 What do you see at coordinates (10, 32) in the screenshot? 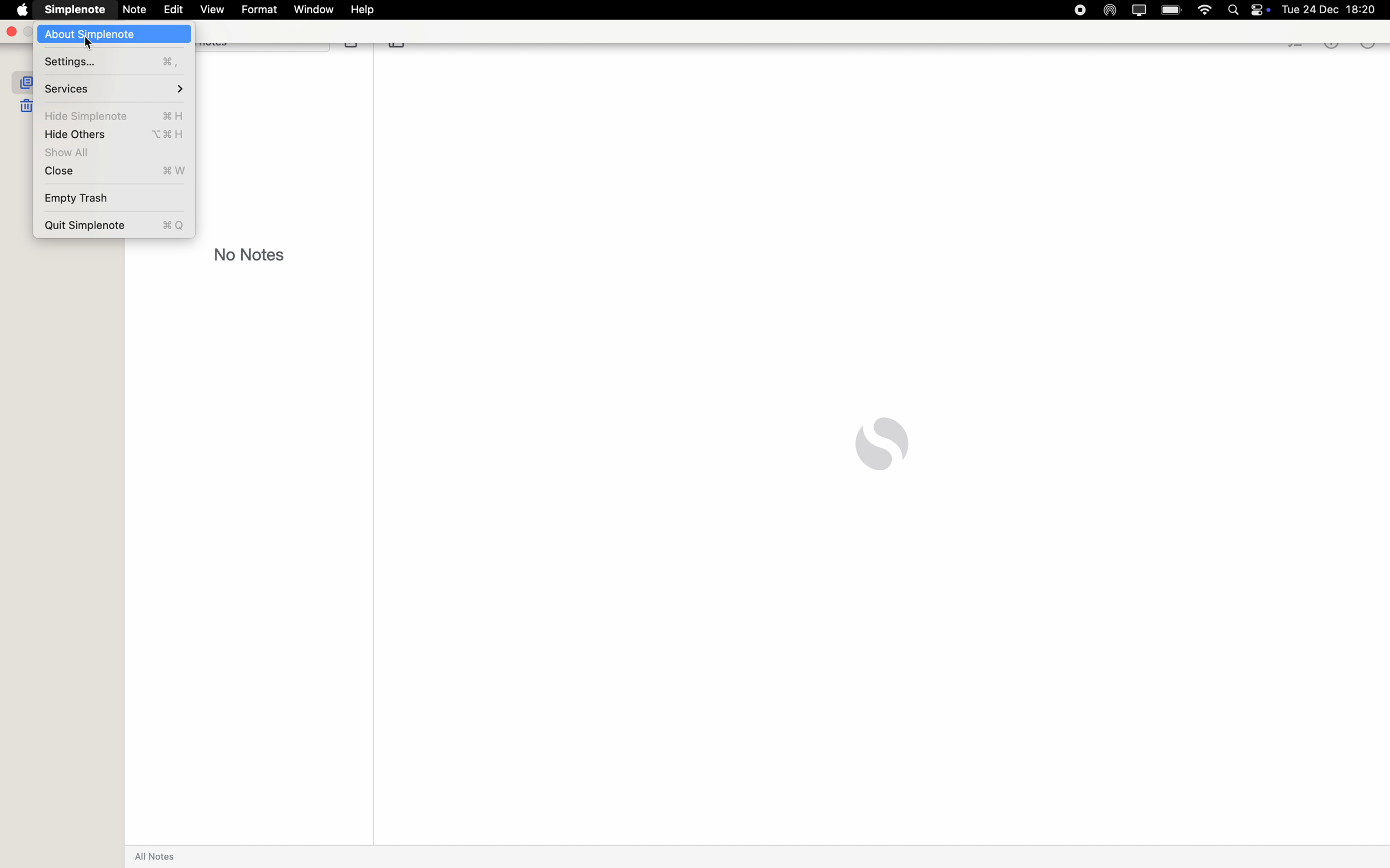
I see `close Simplenote` at bounding box center [10, 32].